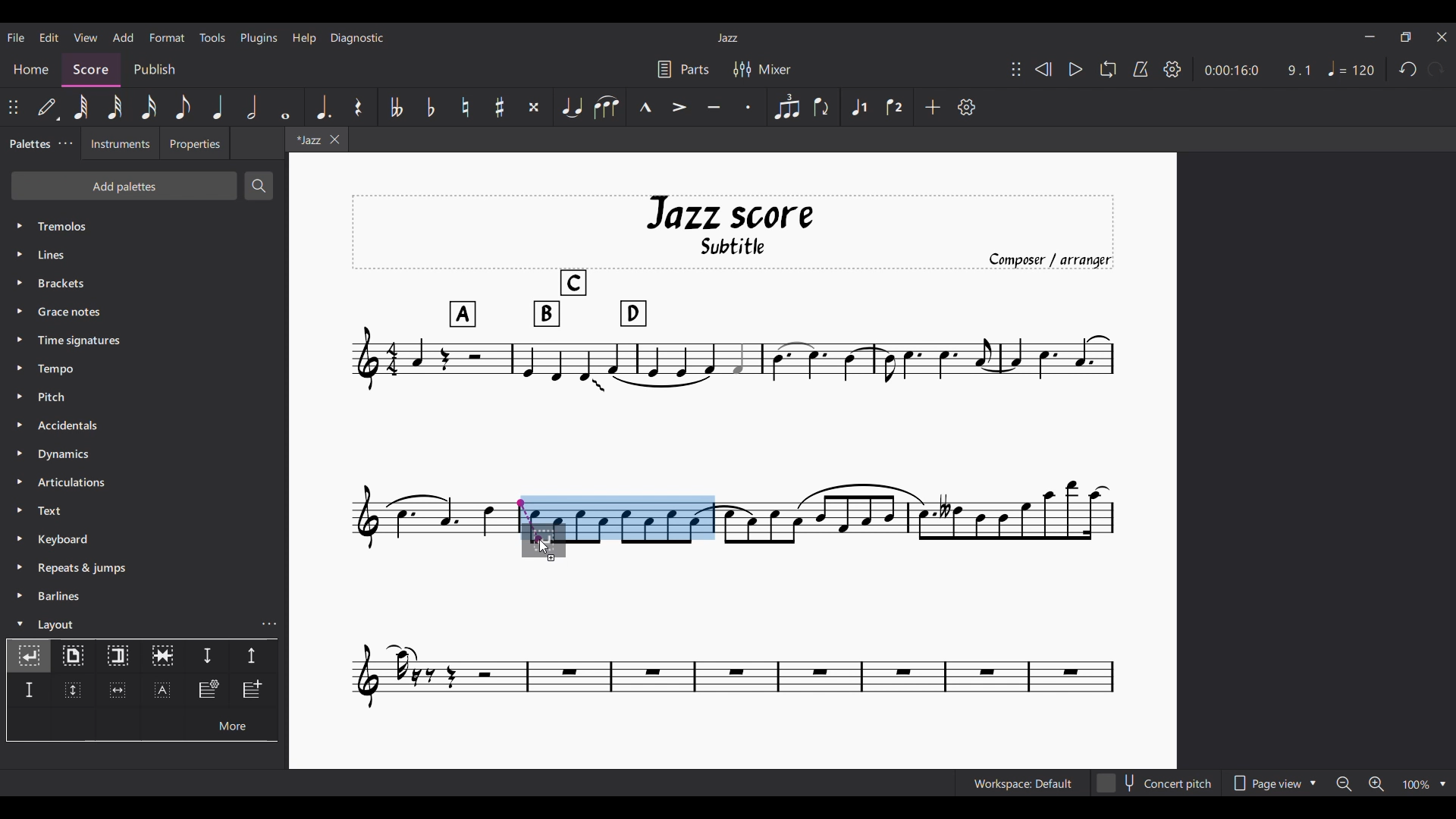 The width and height of the screenshot is (1456, 819). I want to click on Staff spacer fixed down, so click(29, 690).